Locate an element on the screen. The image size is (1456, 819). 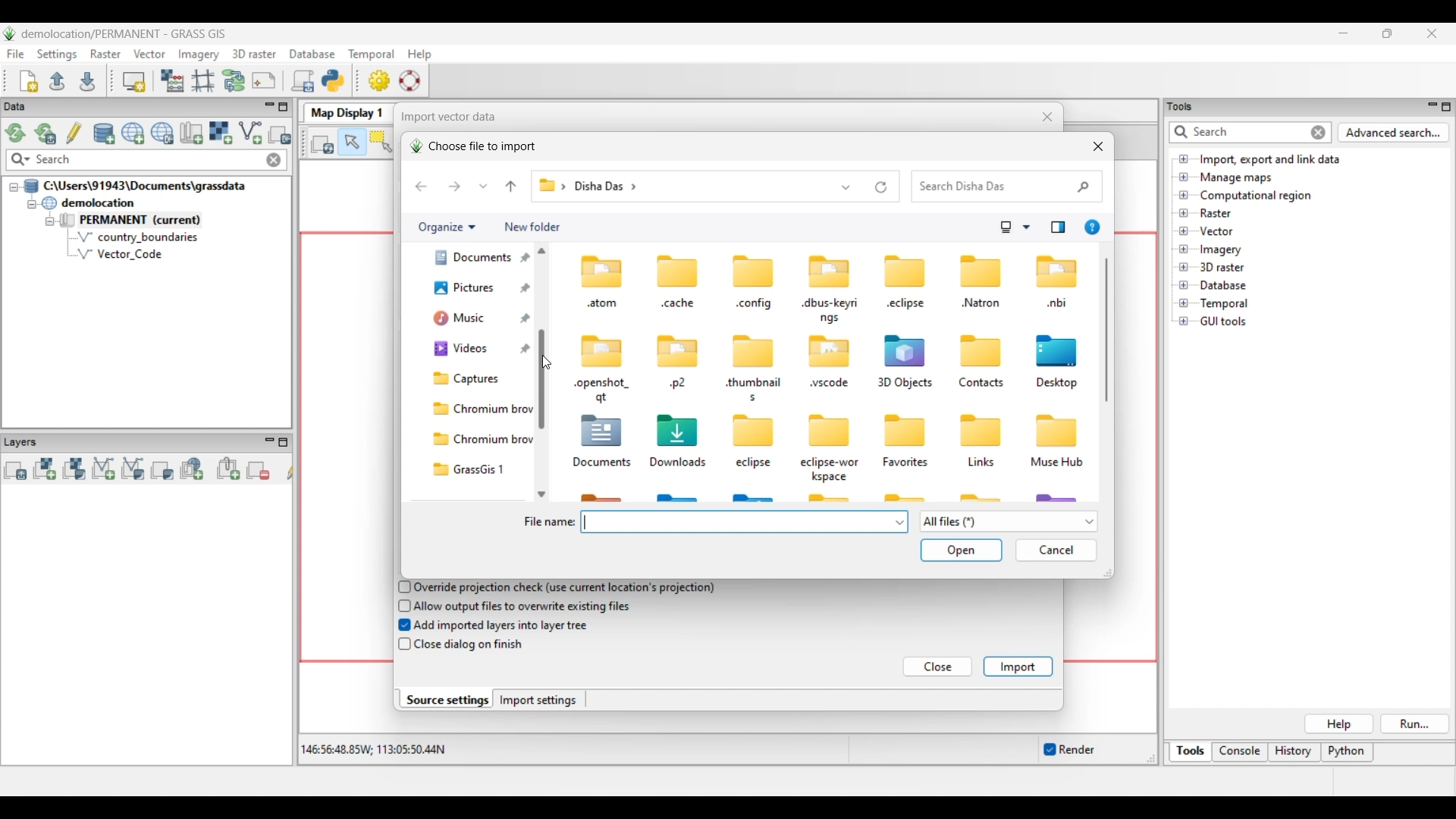
Click to open files under Imagery is located at coordinates (1183, 249).